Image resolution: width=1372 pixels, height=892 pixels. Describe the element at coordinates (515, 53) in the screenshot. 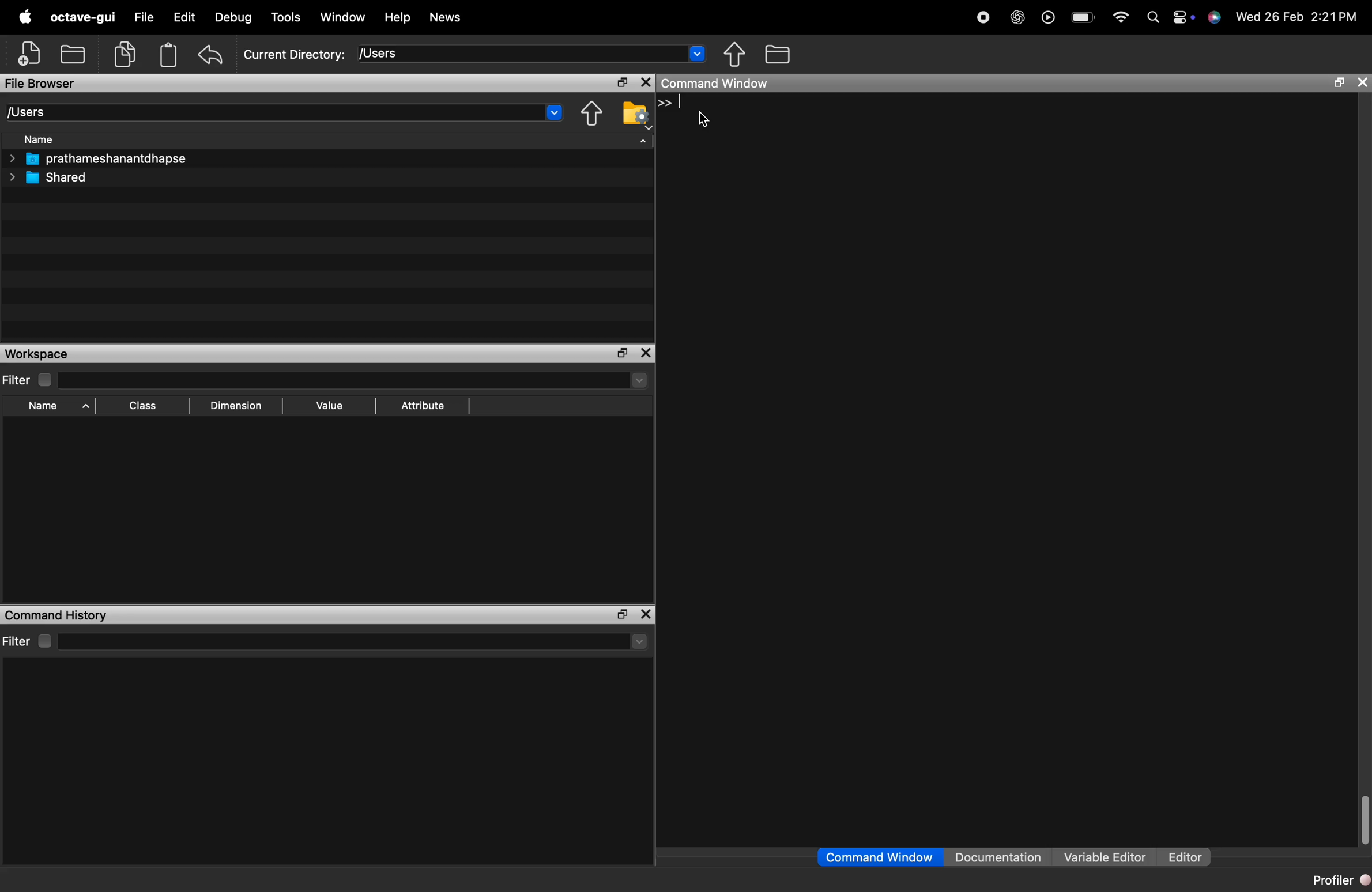

I see `enter directory name` at that location.